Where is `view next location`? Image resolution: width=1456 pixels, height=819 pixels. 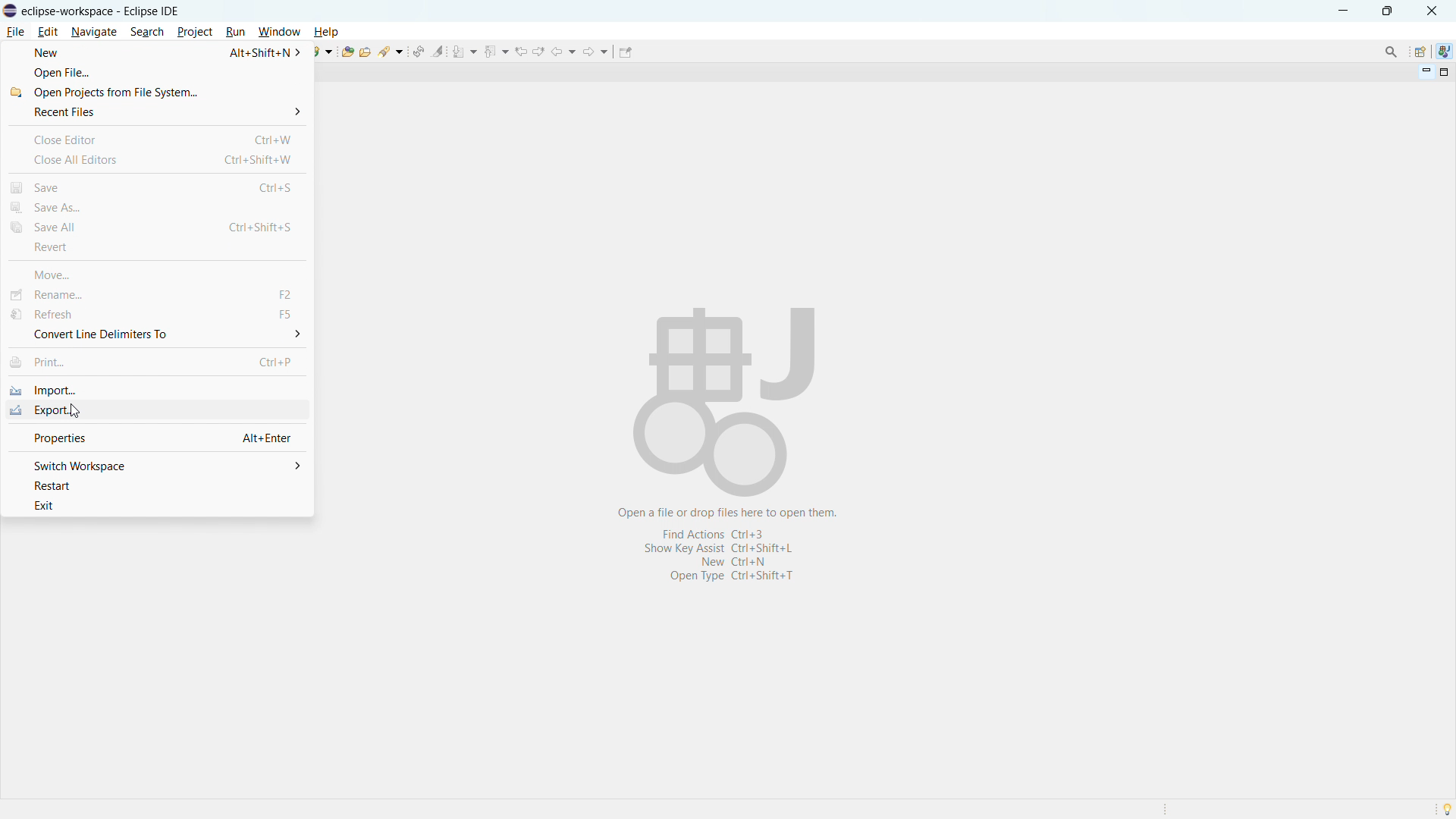
view next location is located at coordinates (539, 51).